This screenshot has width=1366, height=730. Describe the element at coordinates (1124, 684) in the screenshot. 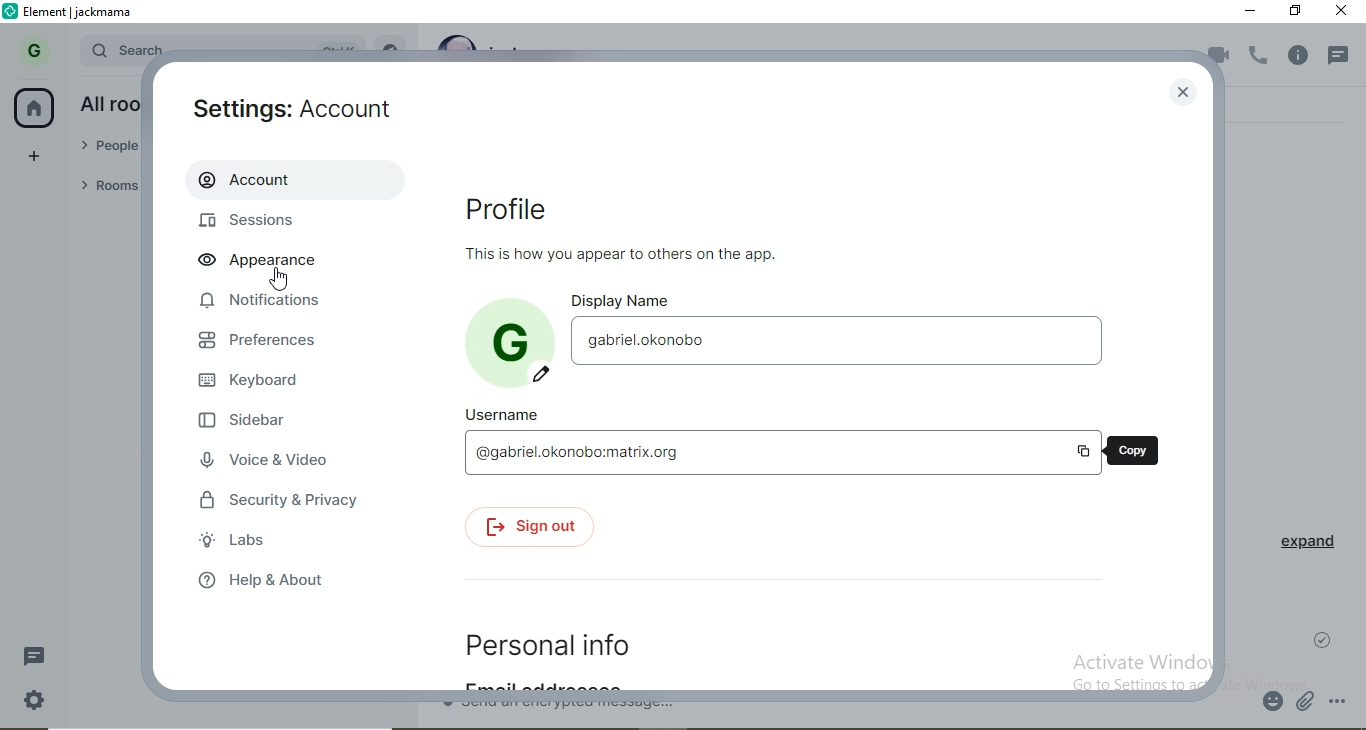

I see `go to settings` at that location.